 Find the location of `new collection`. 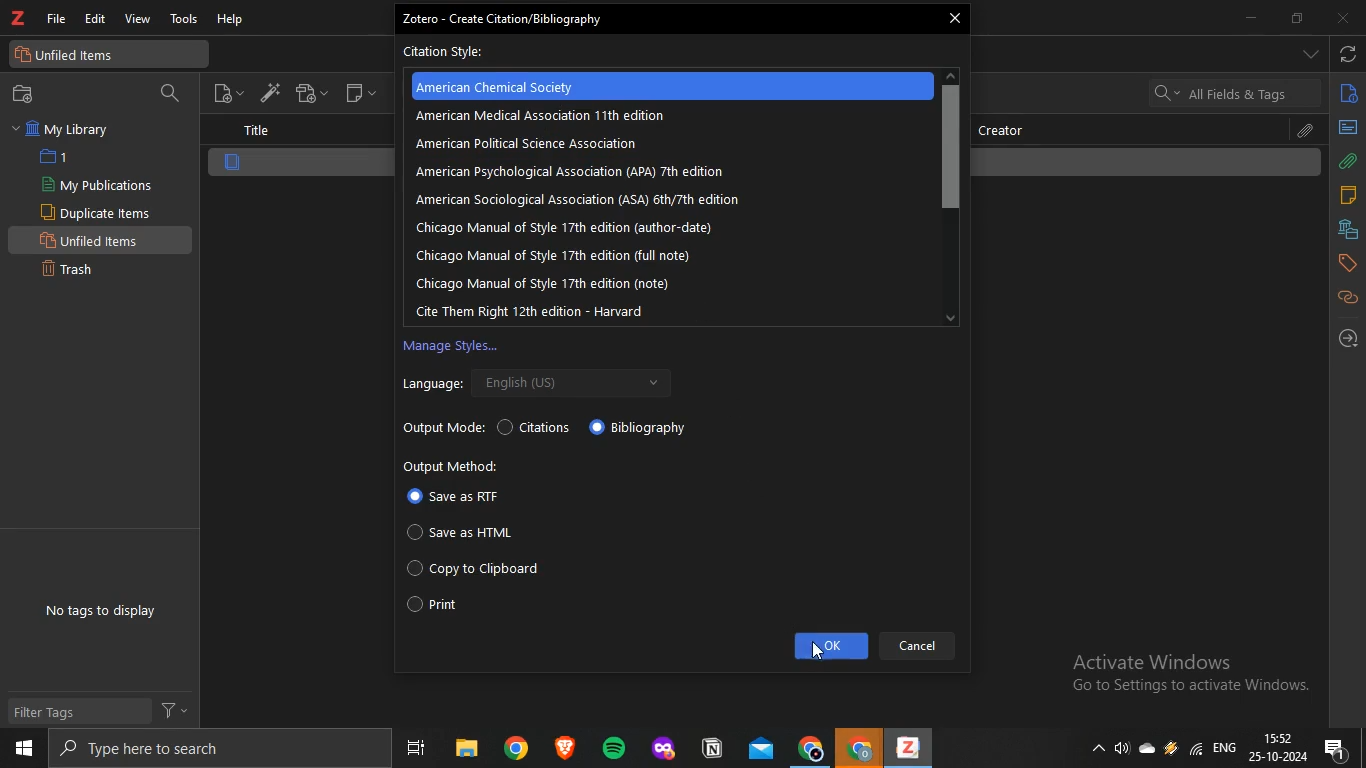

new collection is located at coordinates (27, 94).